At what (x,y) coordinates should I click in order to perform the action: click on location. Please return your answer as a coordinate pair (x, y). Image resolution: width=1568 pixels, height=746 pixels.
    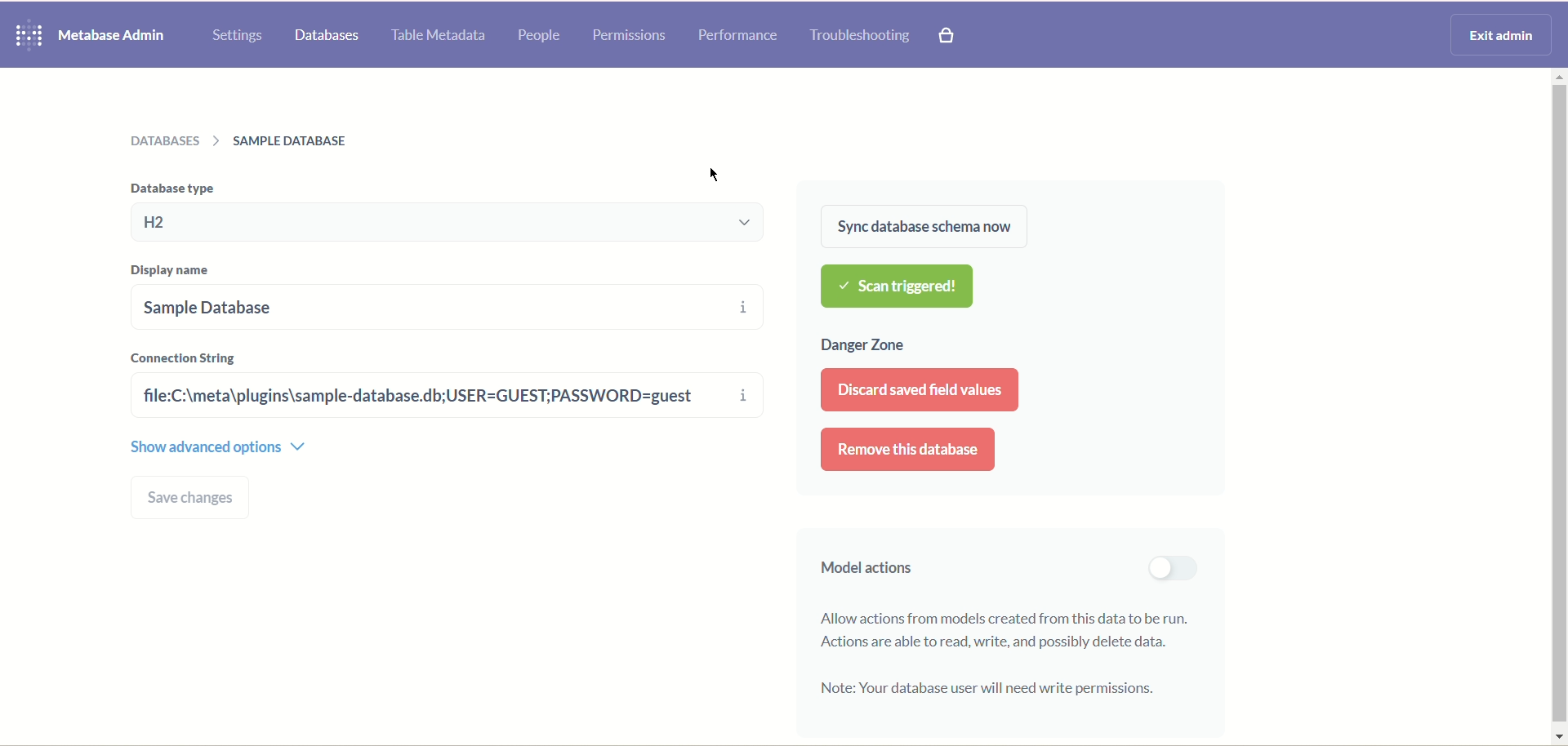
    Looking at the image, I should click on (247, 140).